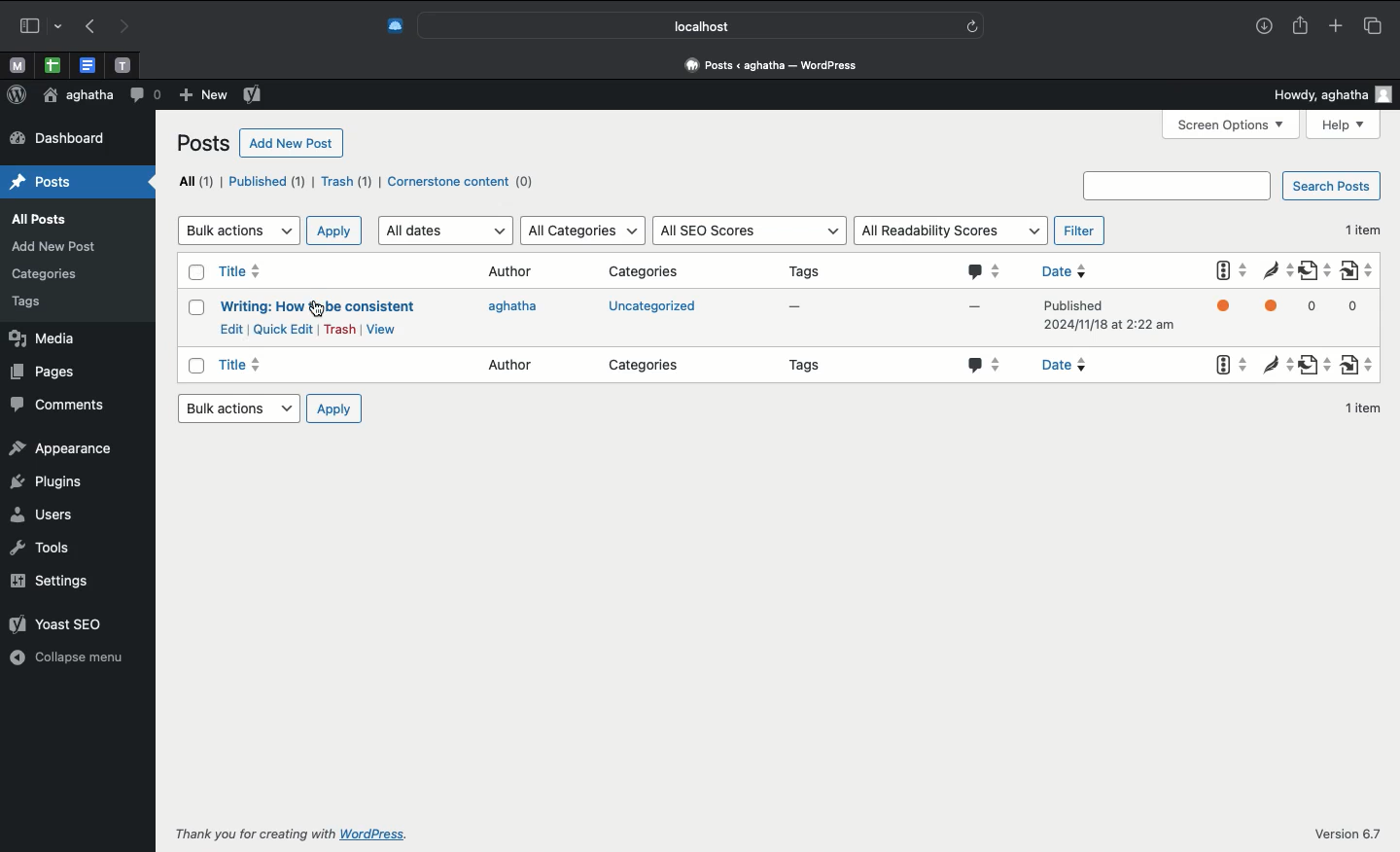 The height and width of the screenshot is (852, 1400). I want to click on All categories, so click(582, 231).